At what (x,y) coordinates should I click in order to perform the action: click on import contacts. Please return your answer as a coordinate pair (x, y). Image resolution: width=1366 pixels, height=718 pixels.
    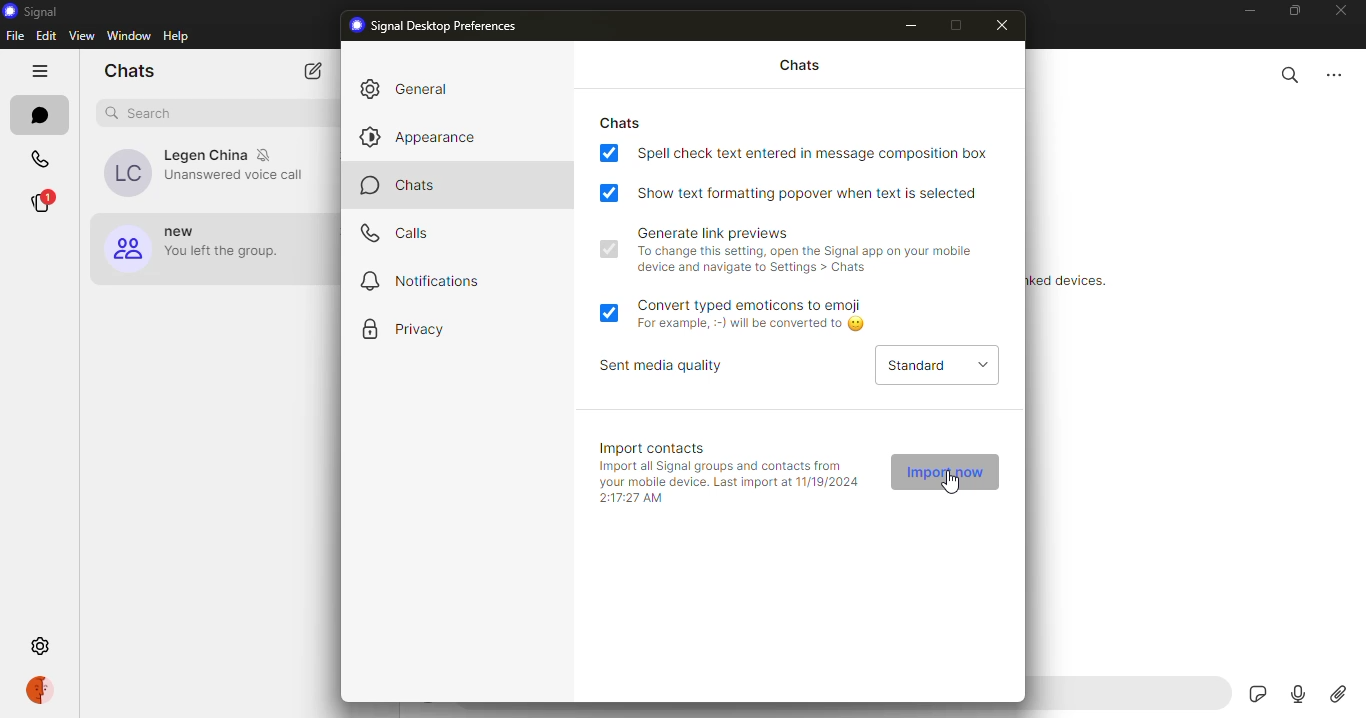
    Looking at the image, I should click on (658, 448).